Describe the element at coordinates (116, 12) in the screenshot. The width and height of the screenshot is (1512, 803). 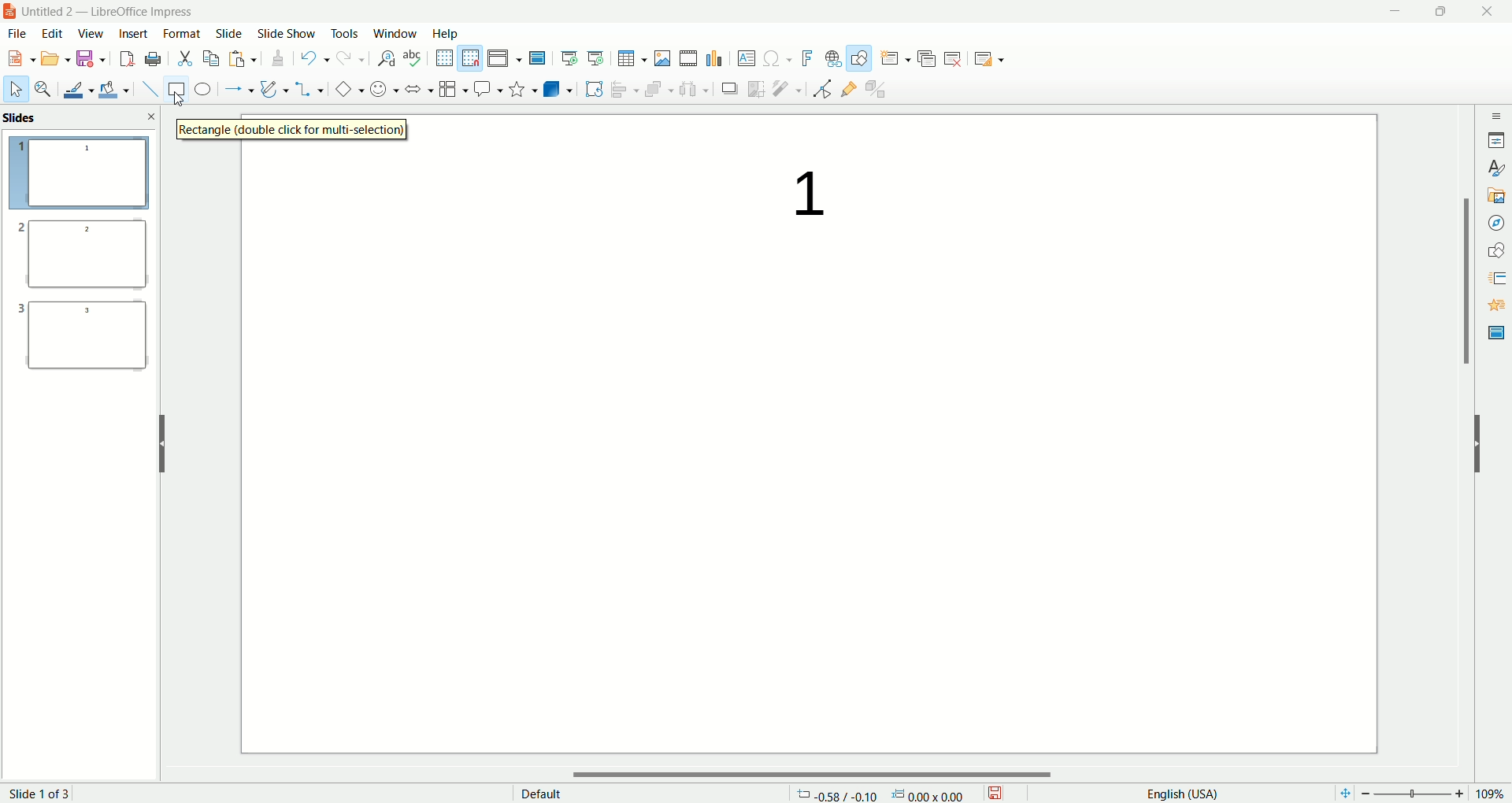
I see `title` at that location.